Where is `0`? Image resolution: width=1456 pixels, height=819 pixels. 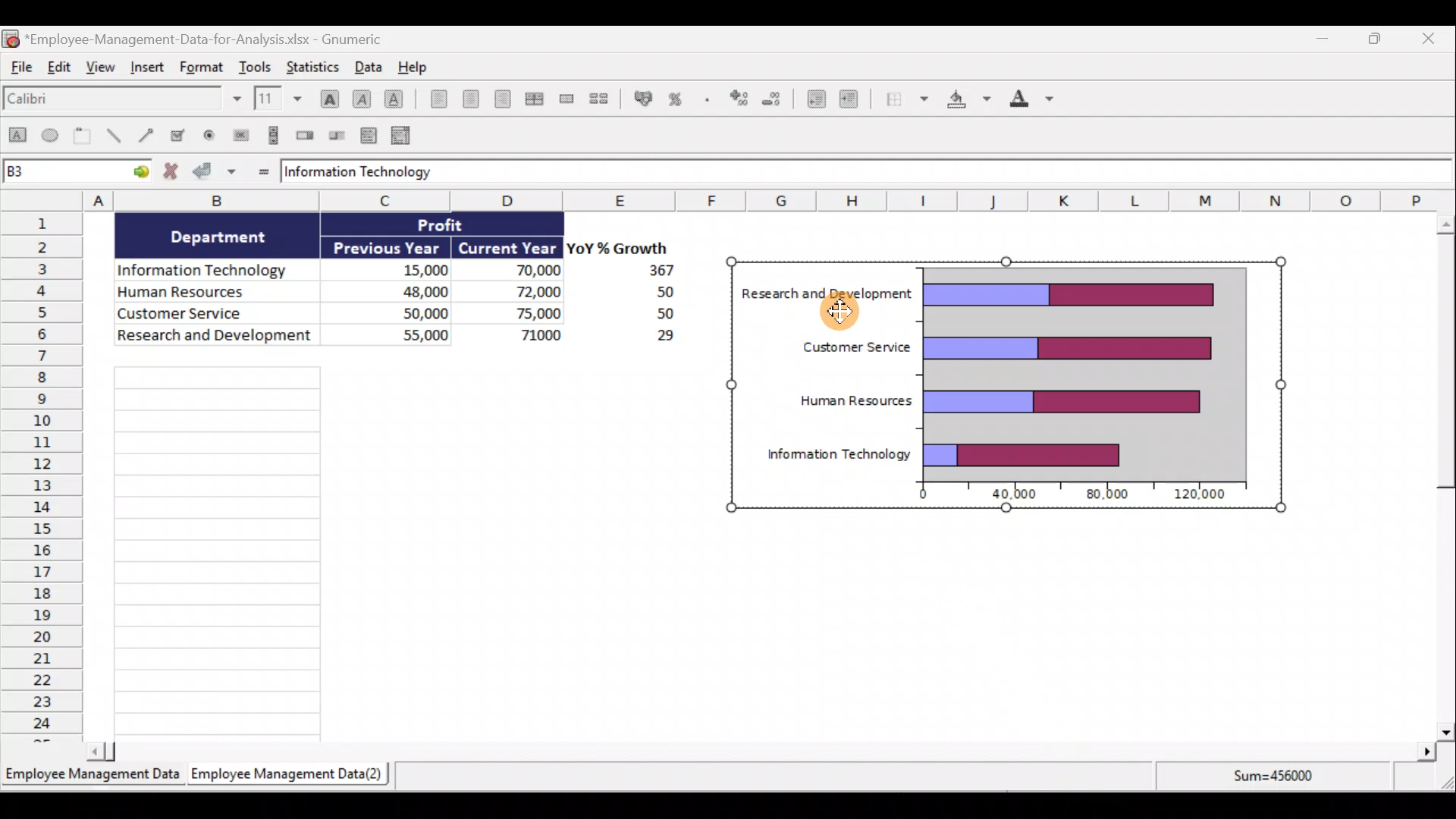 0 is located at coordinates (916, 496).